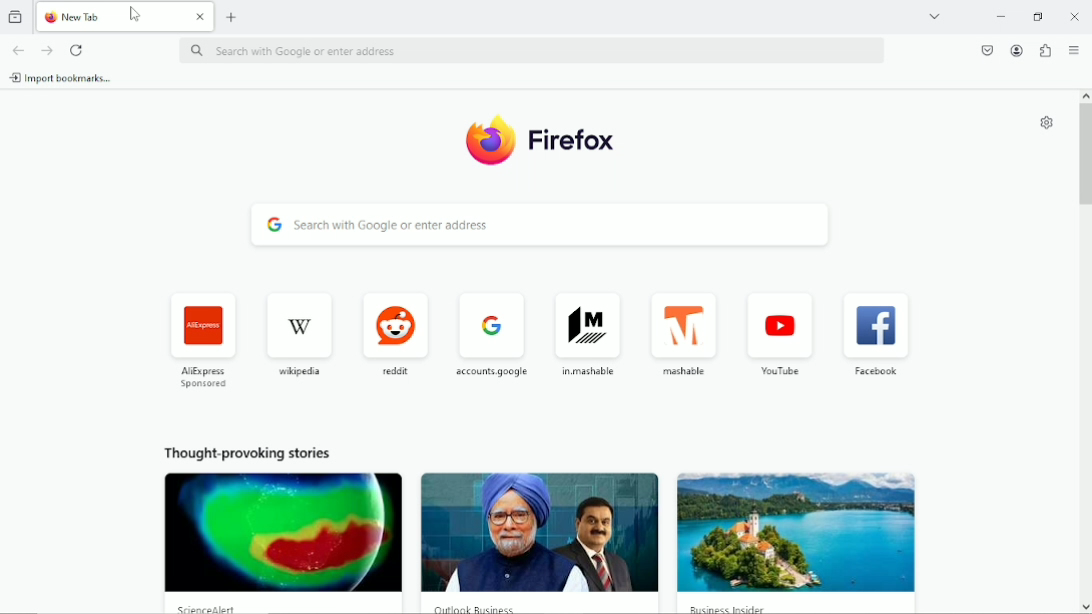  What do you see at coordinates (779, 333) in the screenshot?
I see `youtube` at bounding box center [779, 333].